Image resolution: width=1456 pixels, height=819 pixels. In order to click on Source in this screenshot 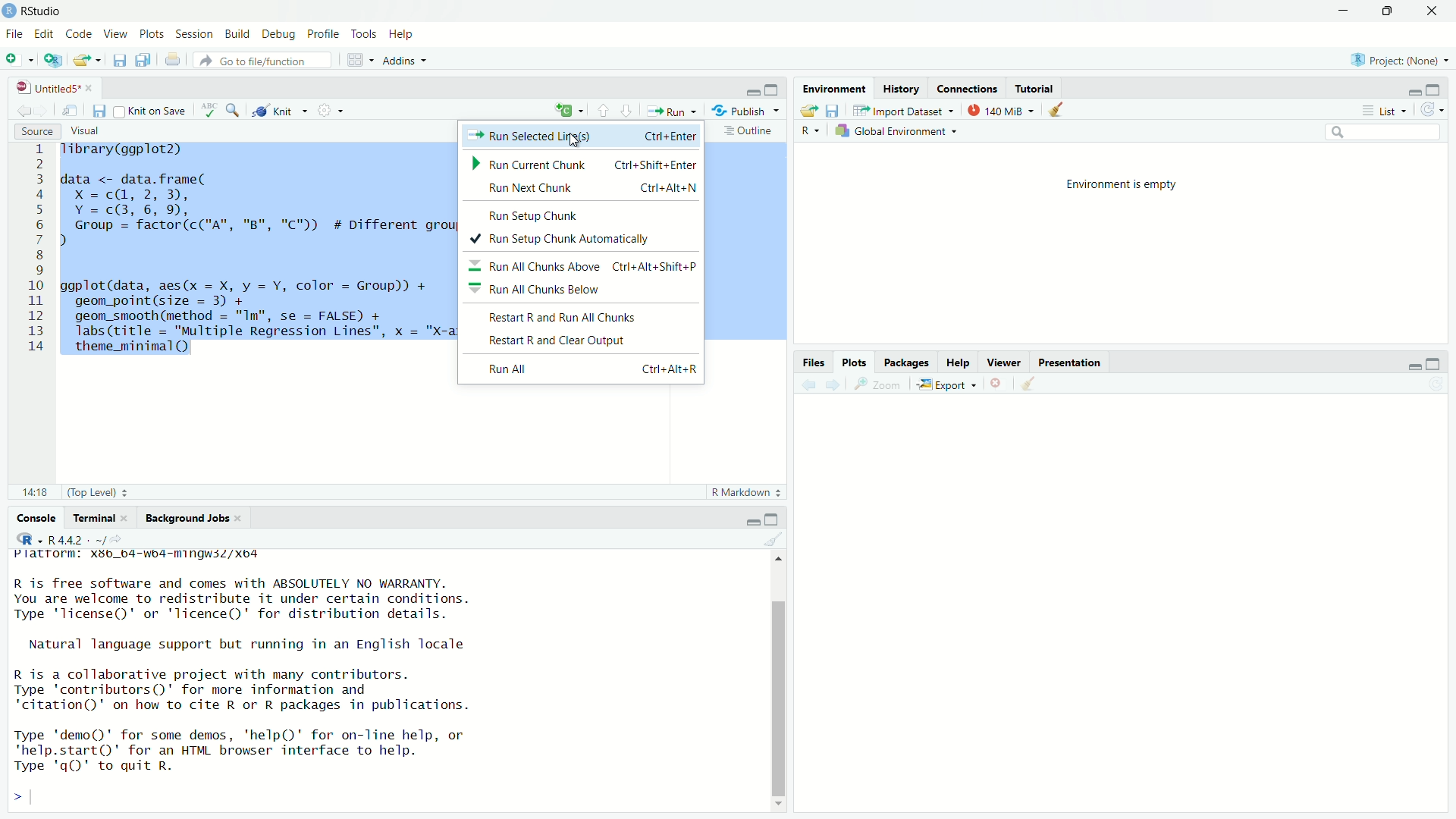, I will do `click(36, 132)`.